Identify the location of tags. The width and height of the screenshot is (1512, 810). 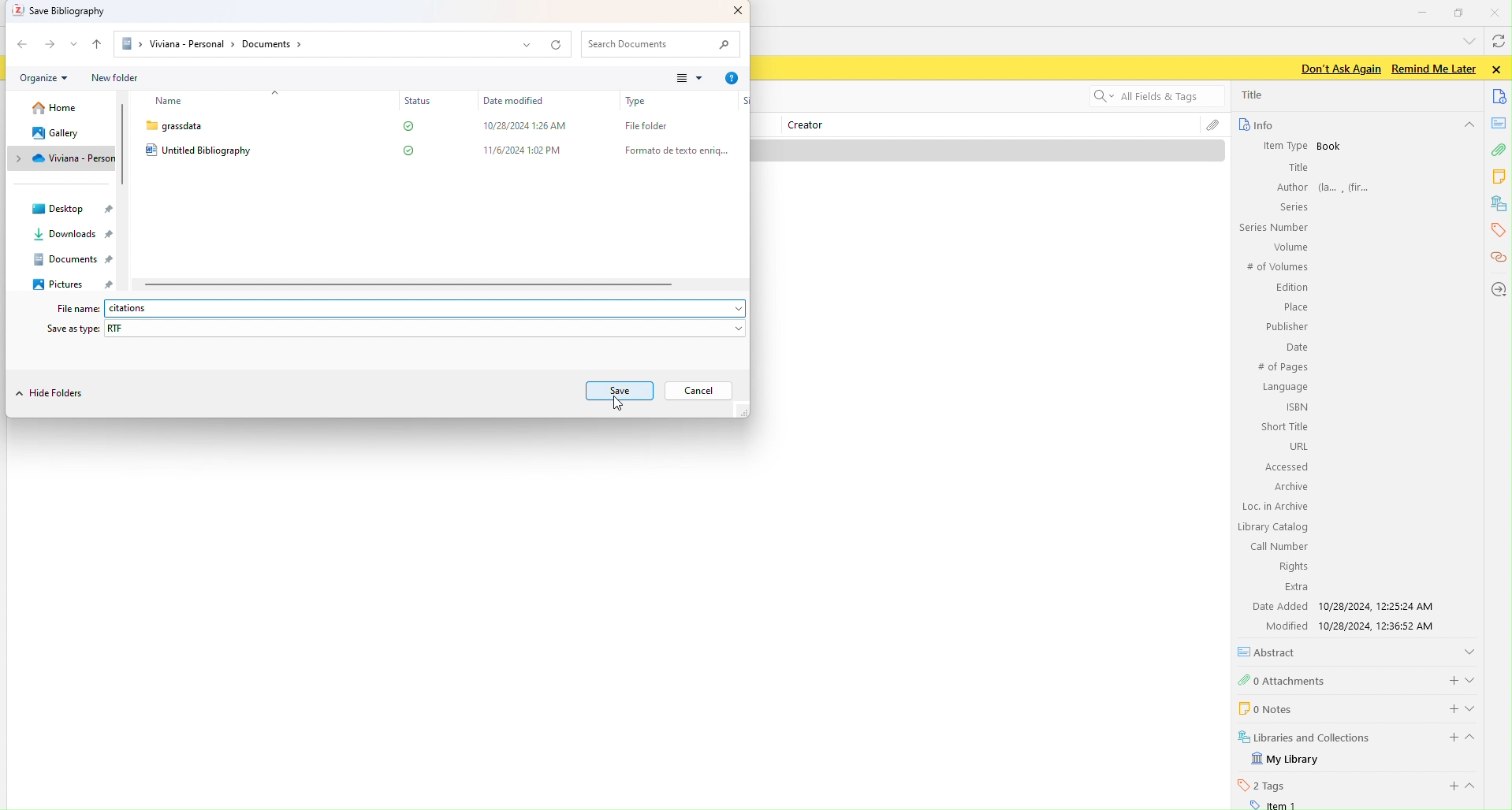
(1496, 230).